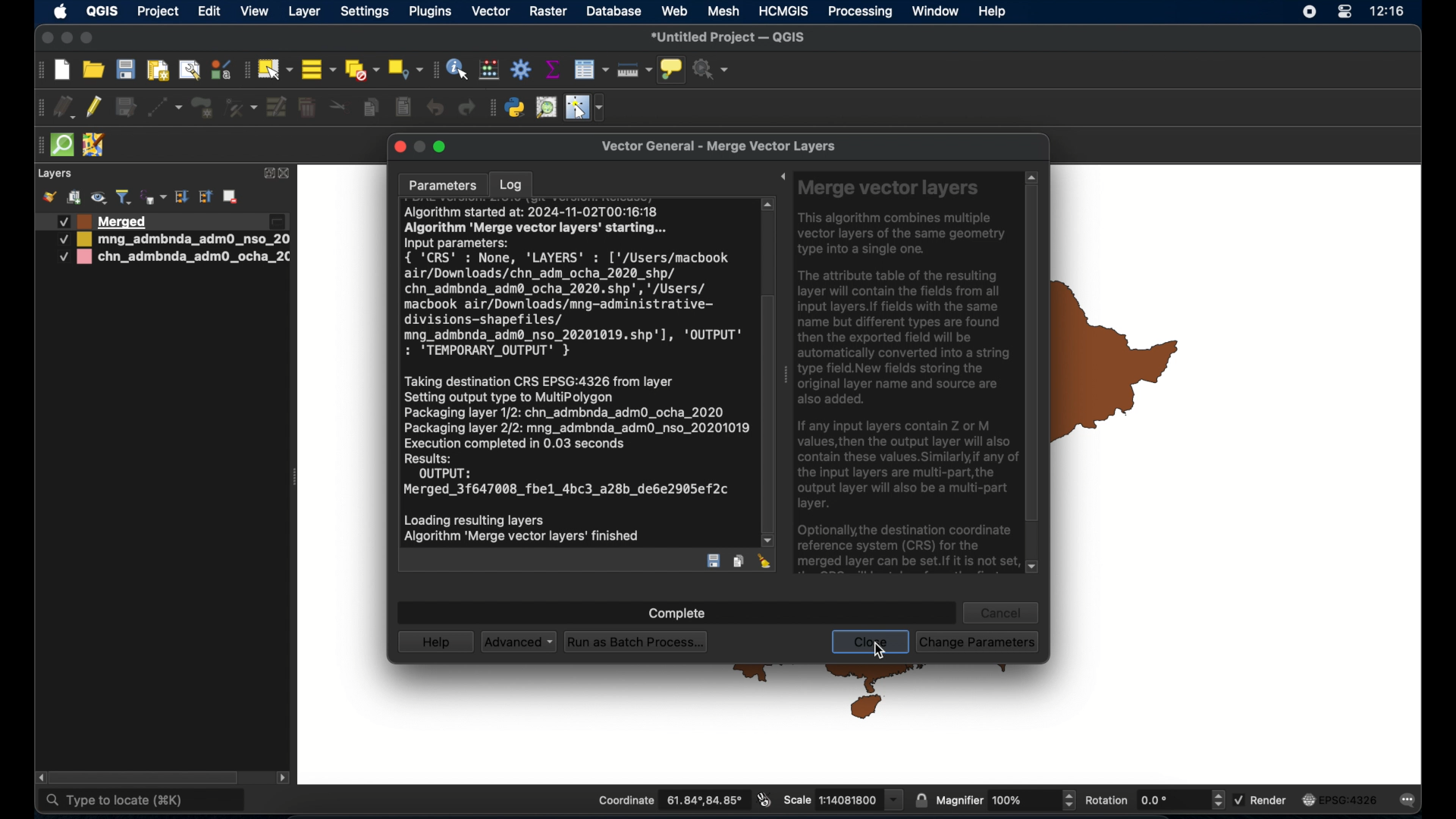 The height and width of the screenshot is (819, 1456). Describe the element at coordinates (1340, 801) in the screenshot. I see `EPSG:4326` at that location.